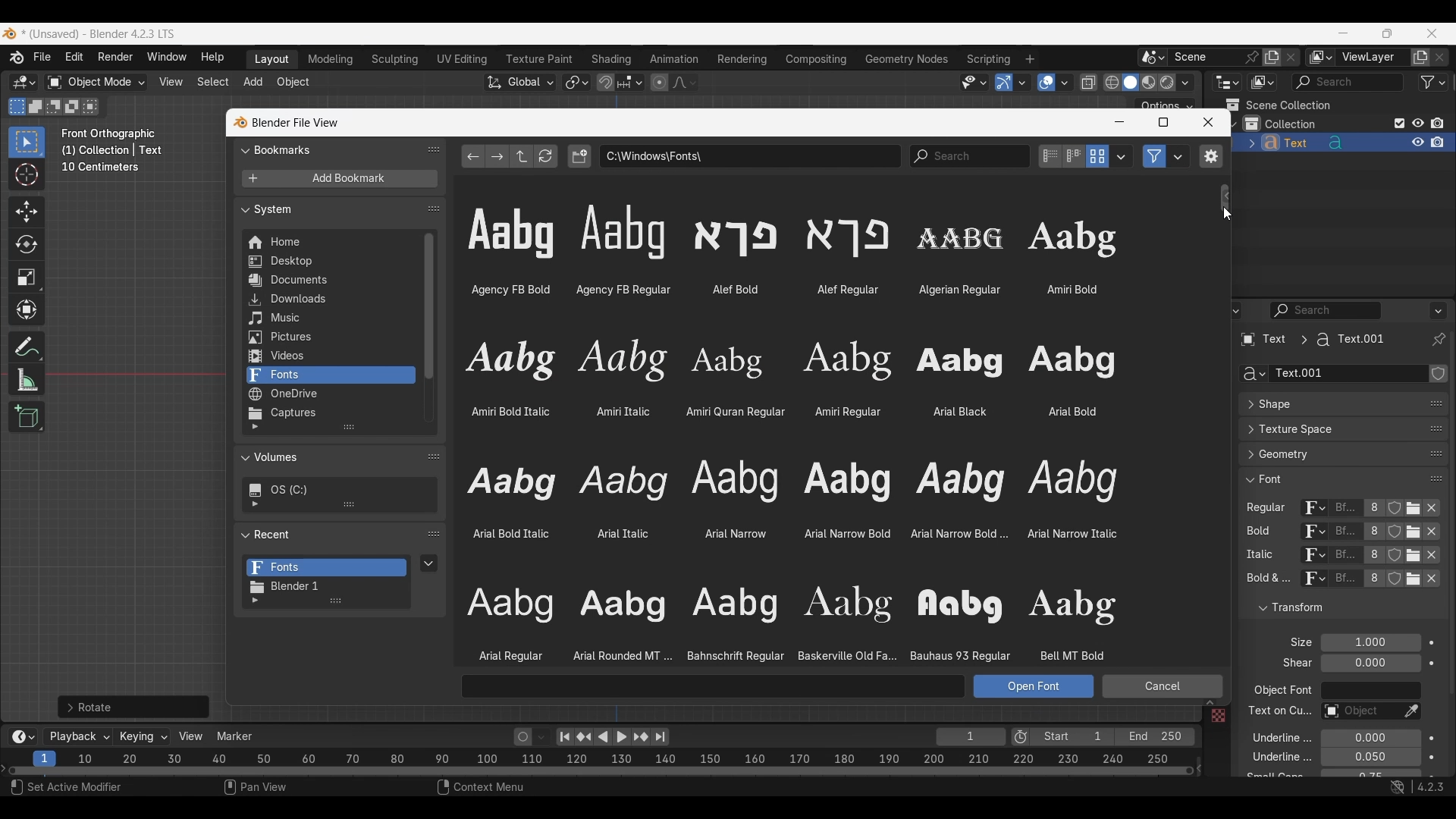 The width and height of the screenshot is (1456, 819). I want to click on Invert existing selection, so click(72, 107).